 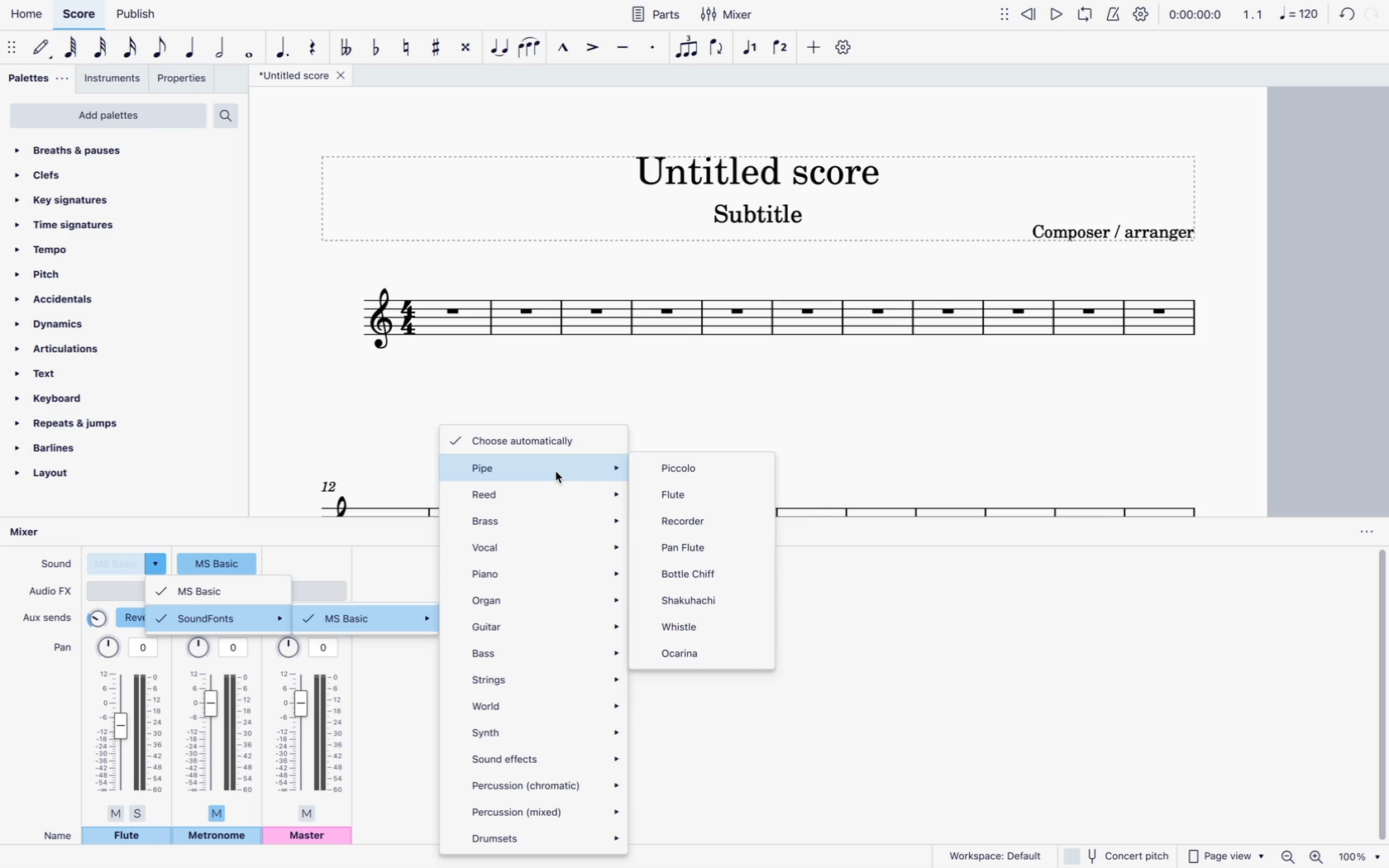 What do you see at coordinates (76, 273) in the screenshot?
I see `pitch` at bounding box center [76, 273].